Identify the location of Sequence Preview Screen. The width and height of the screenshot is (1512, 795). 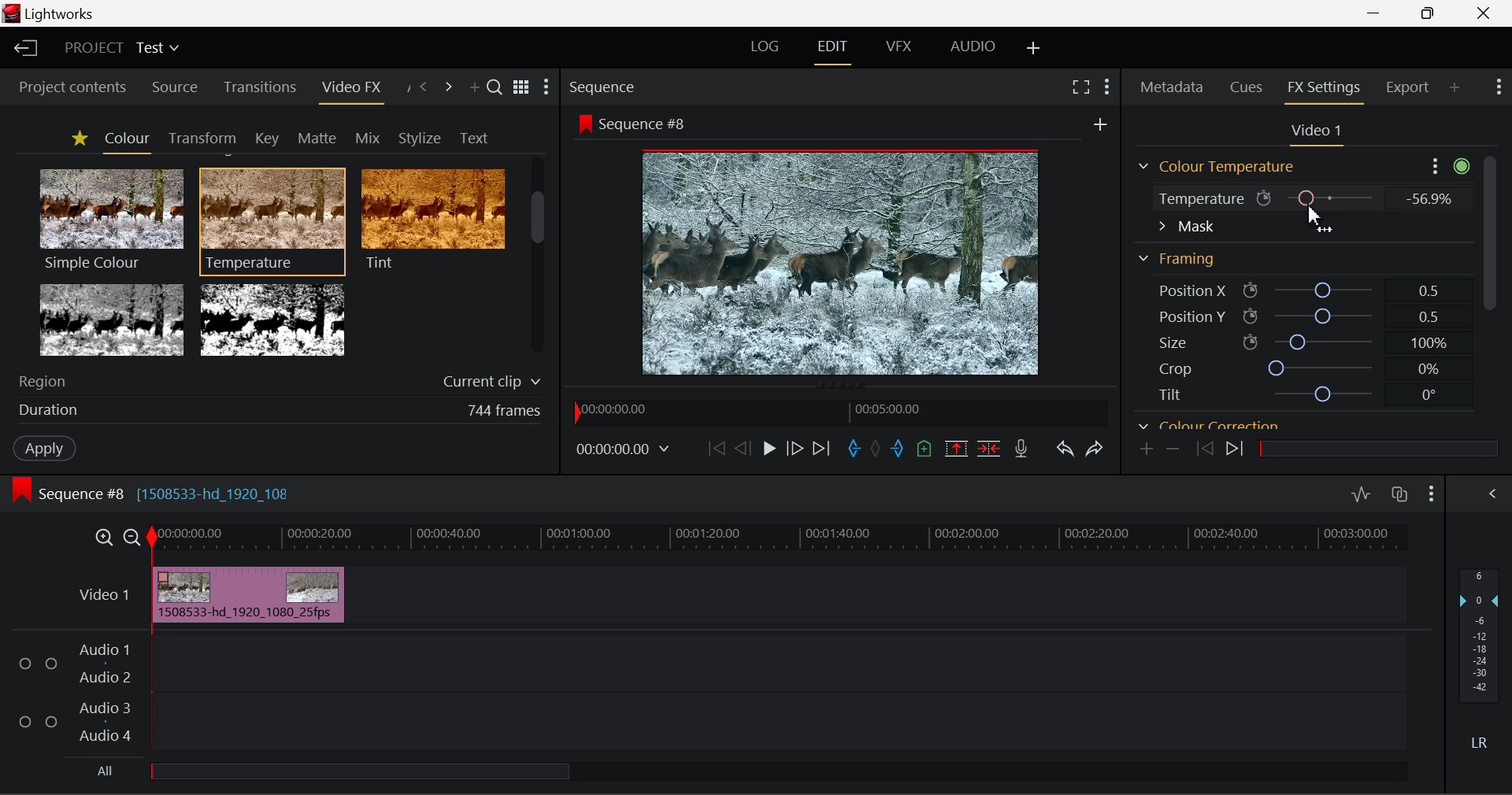
(844, 261).